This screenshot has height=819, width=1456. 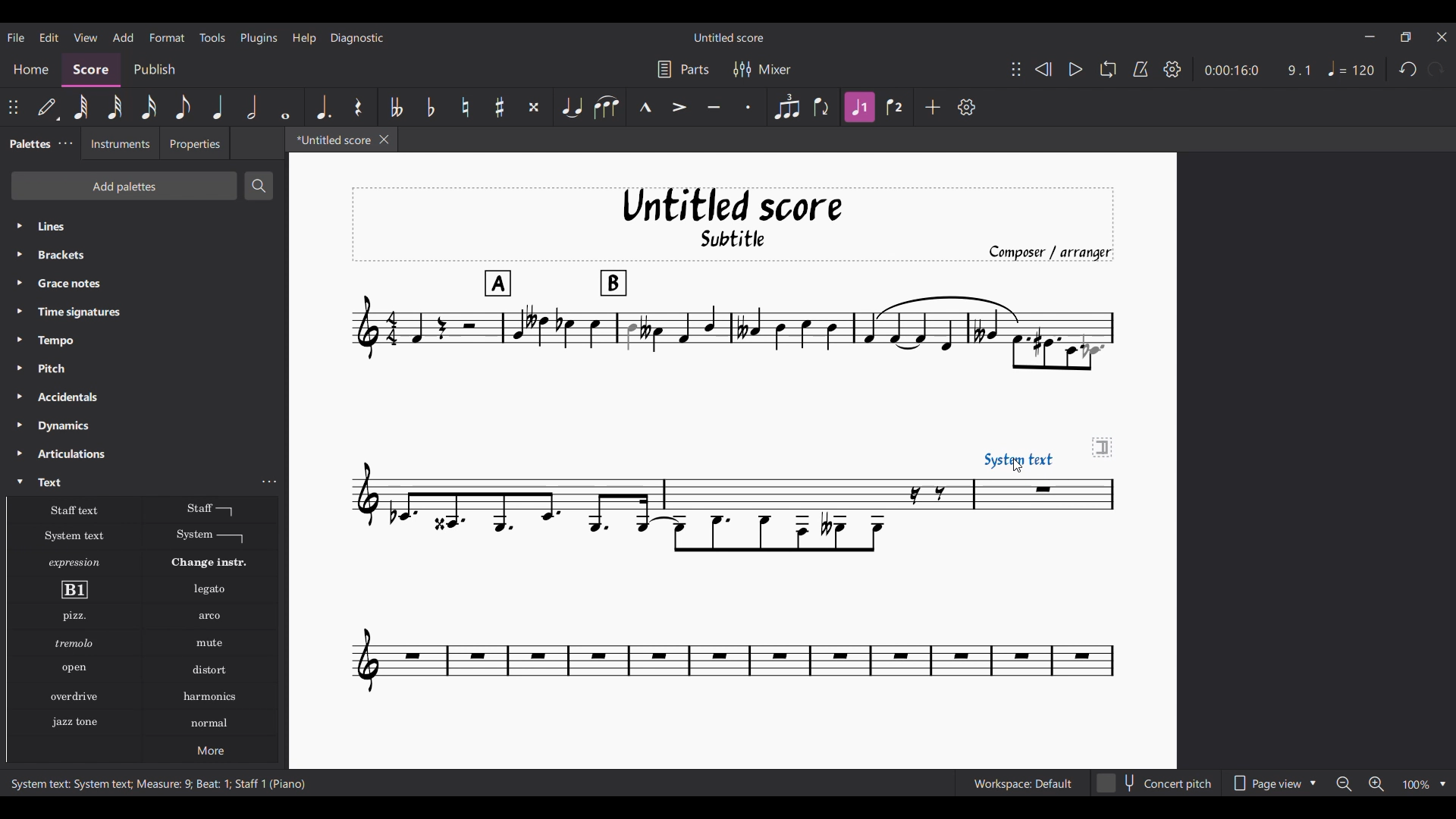 What do you see at coordinates (13, 107) in the screenshot?
I see `Change position` at bounding box center [13, 107].